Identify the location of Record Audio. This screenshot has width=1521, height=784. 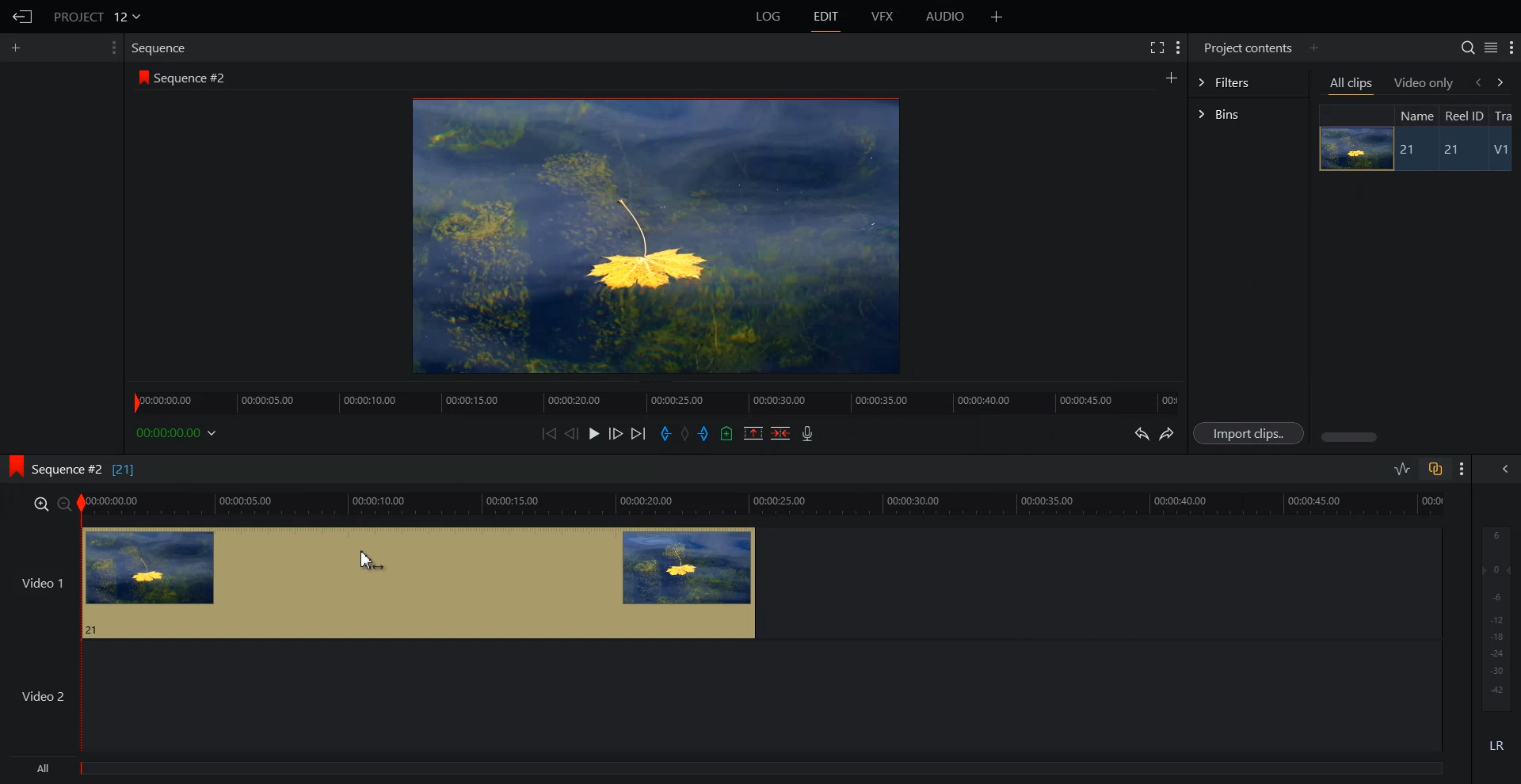
(806, 433).